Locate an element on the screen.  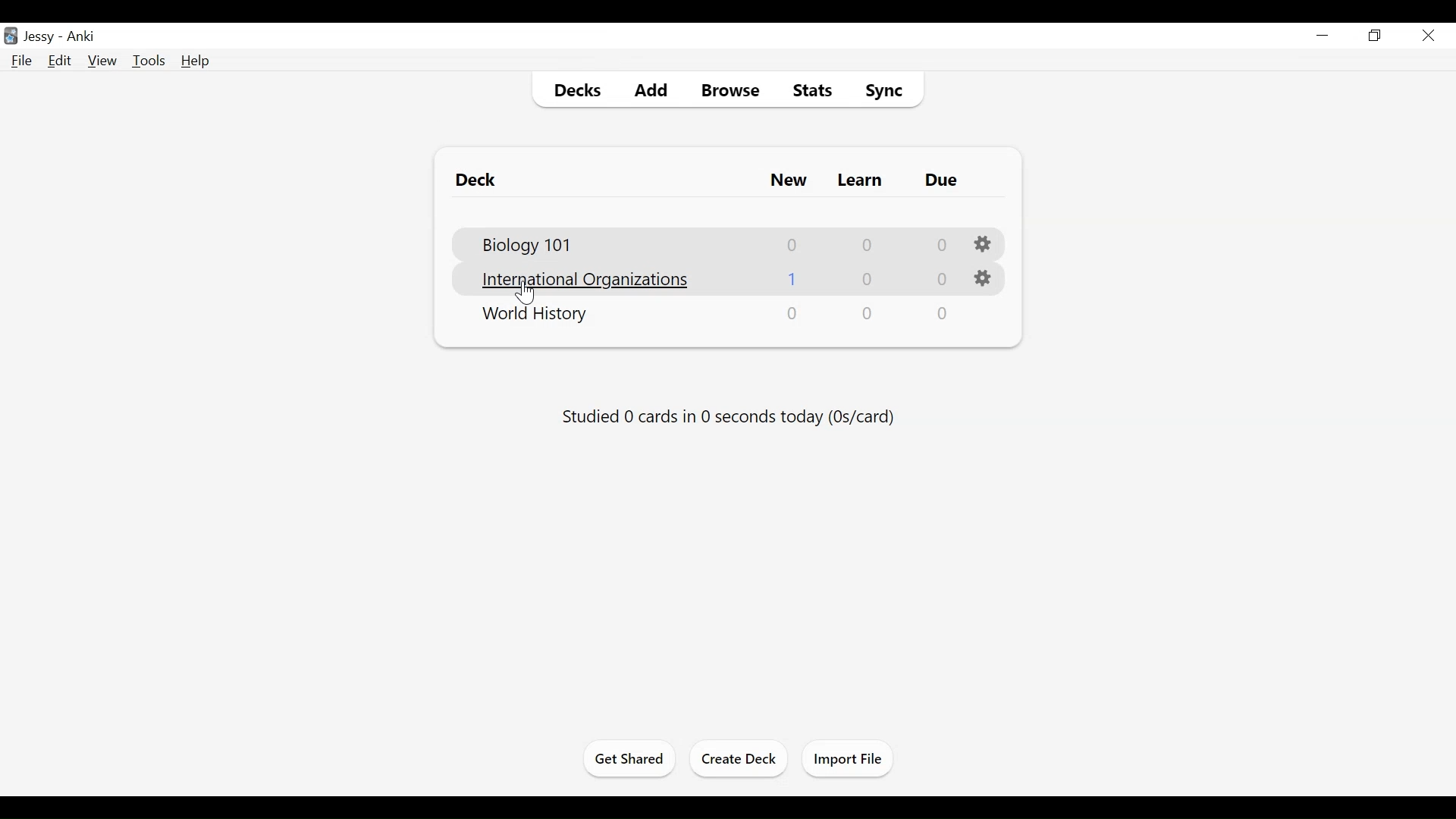
cursor is located at coordinates (529, 299).